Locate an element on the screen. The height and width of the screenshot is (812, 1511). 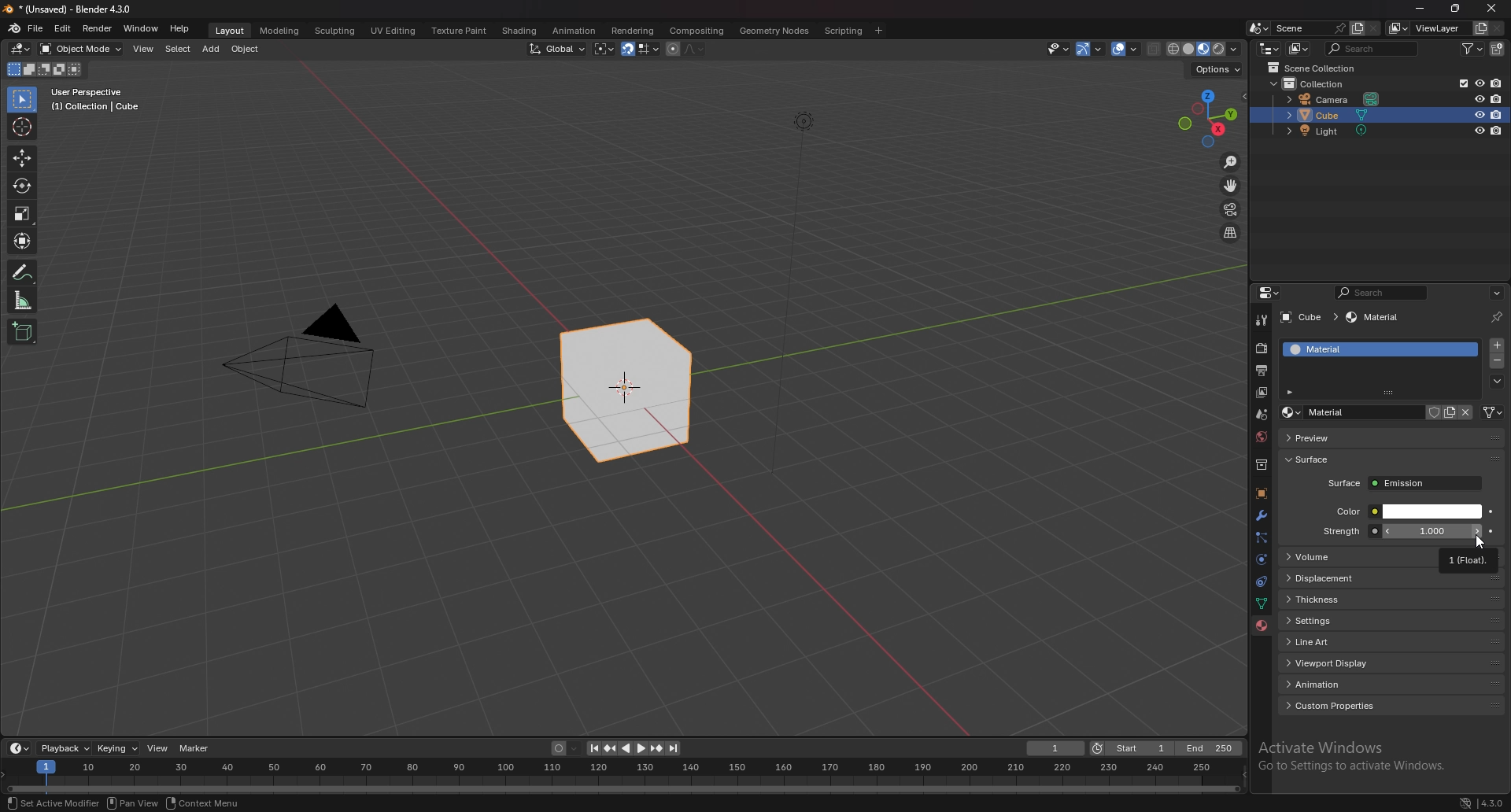
minimize is located at coordinates (1420, 9).